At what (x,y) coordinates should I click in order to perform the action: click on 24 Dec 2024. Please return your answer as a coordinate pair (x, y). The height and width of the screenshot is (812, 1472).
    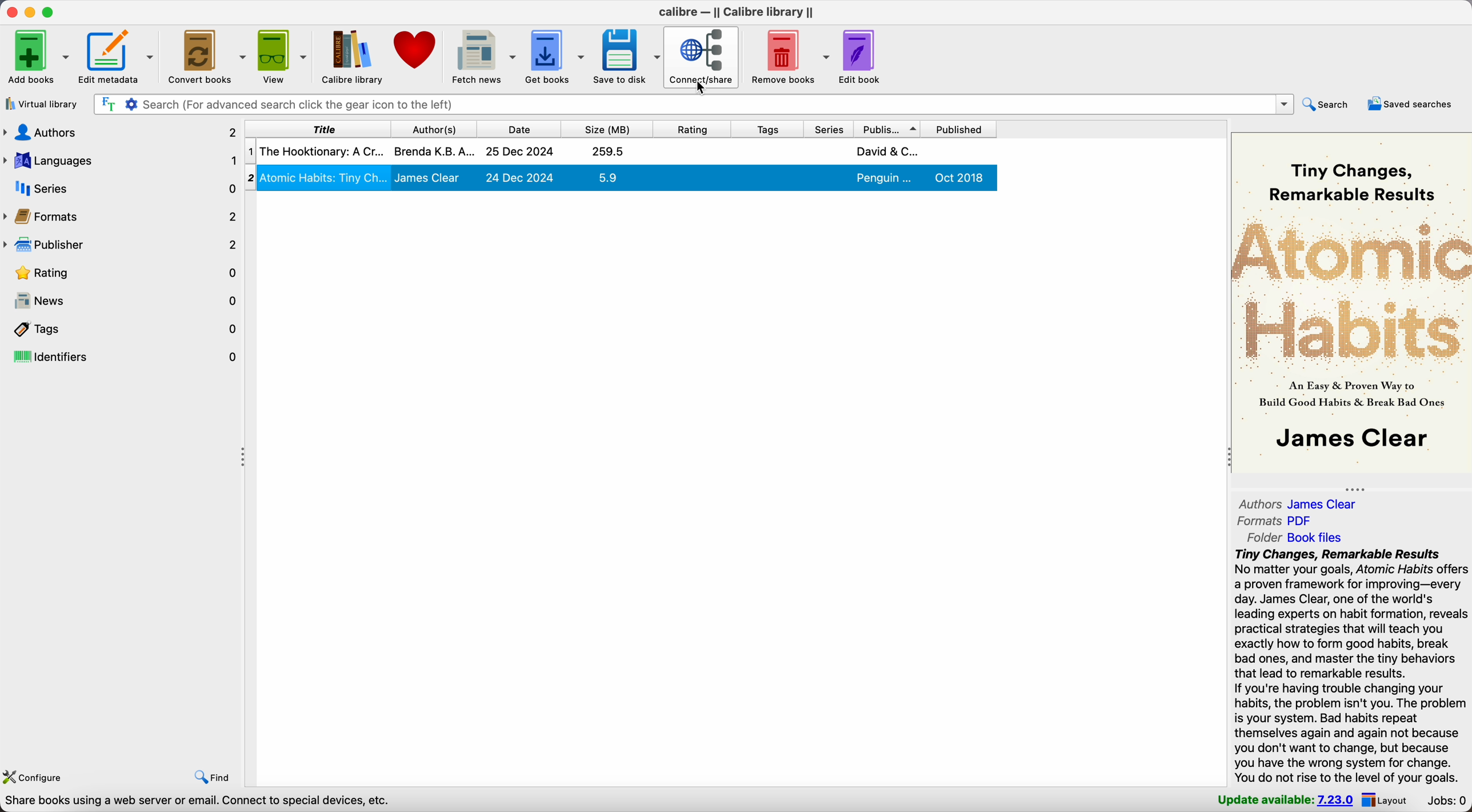
    Looking at the image, I should click on (520, 177).